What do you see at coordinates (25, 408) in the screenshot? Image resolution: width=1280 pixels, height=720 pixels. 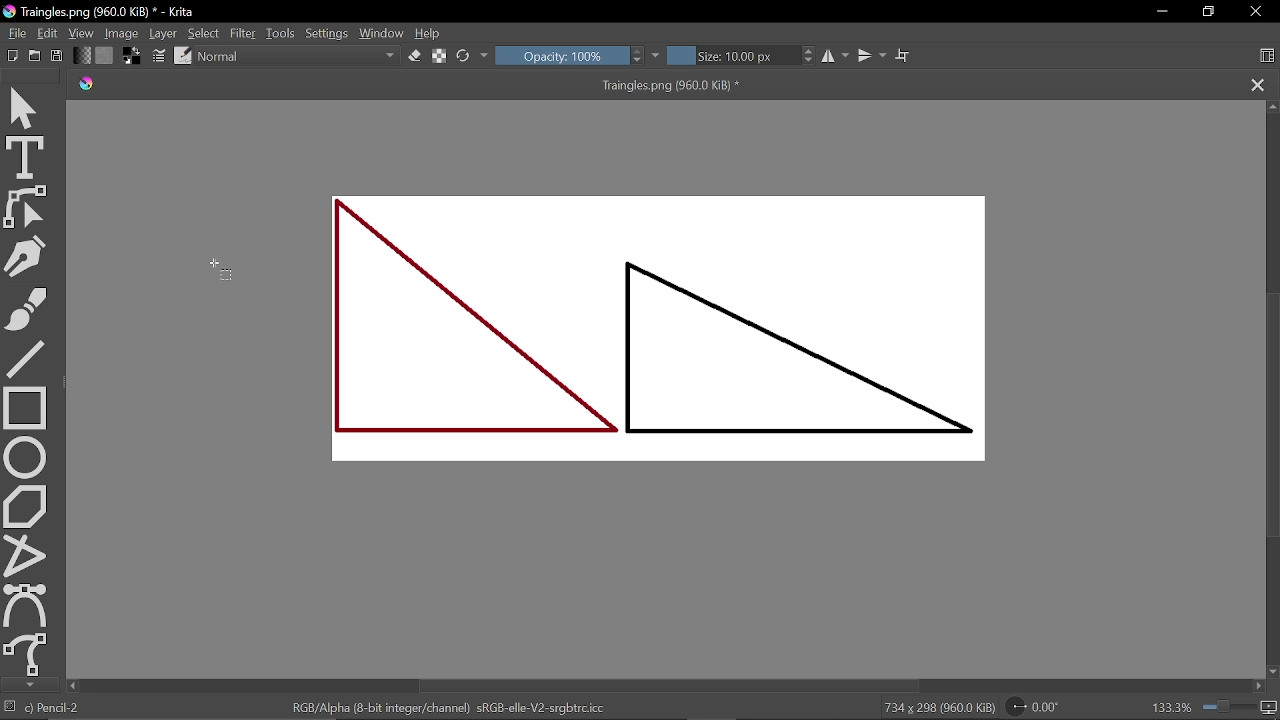 I see `rectangle tool` at bounding box center [25, 408].